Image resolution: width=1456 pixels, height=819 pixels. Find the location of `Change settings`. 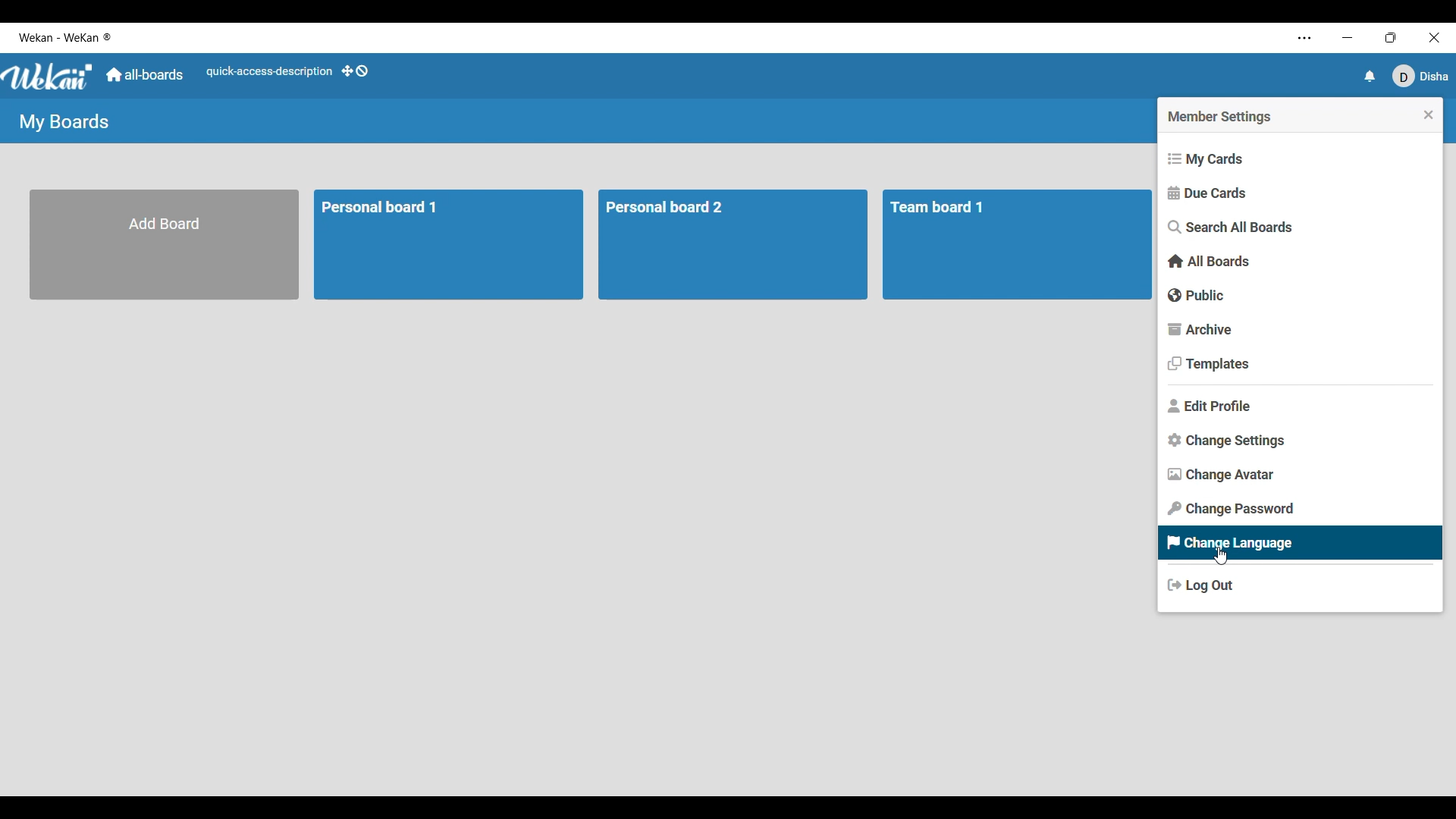

Change settings is located at coordinates (1301, 441).